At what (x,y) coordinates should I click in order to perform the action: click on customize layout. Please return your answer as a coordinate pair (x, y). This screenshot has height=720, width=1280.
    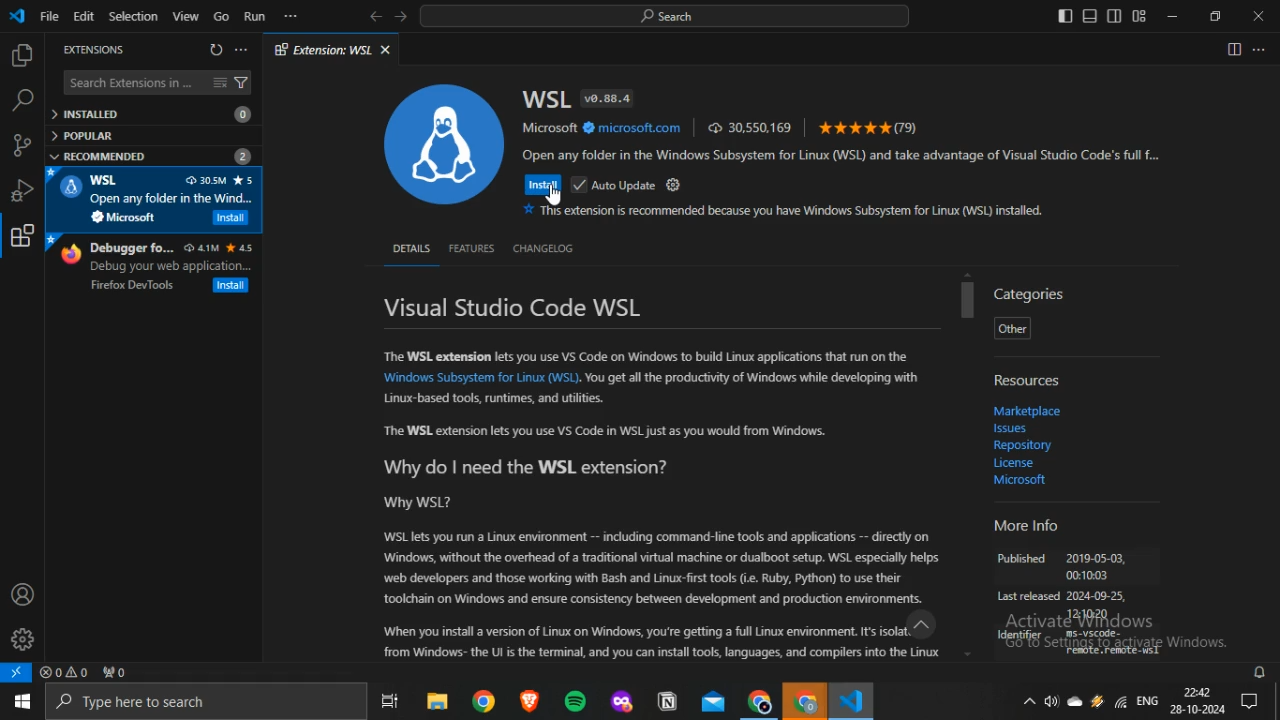
    Looking at the image, I should click on (1139, 16).